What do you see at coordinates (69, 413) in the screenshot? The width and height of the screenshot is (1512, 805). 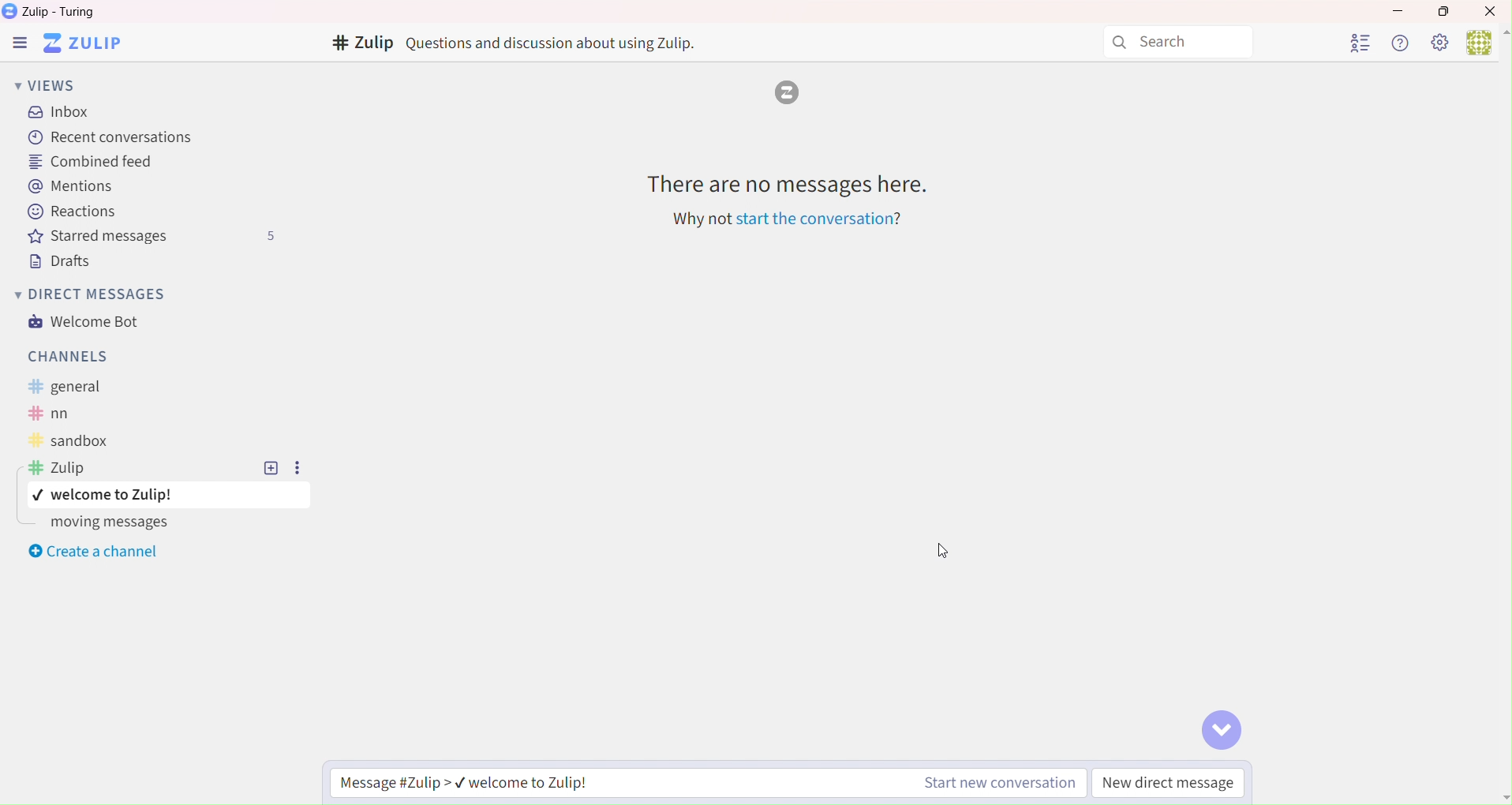 I see `Text` at bounding box center [69, 413].